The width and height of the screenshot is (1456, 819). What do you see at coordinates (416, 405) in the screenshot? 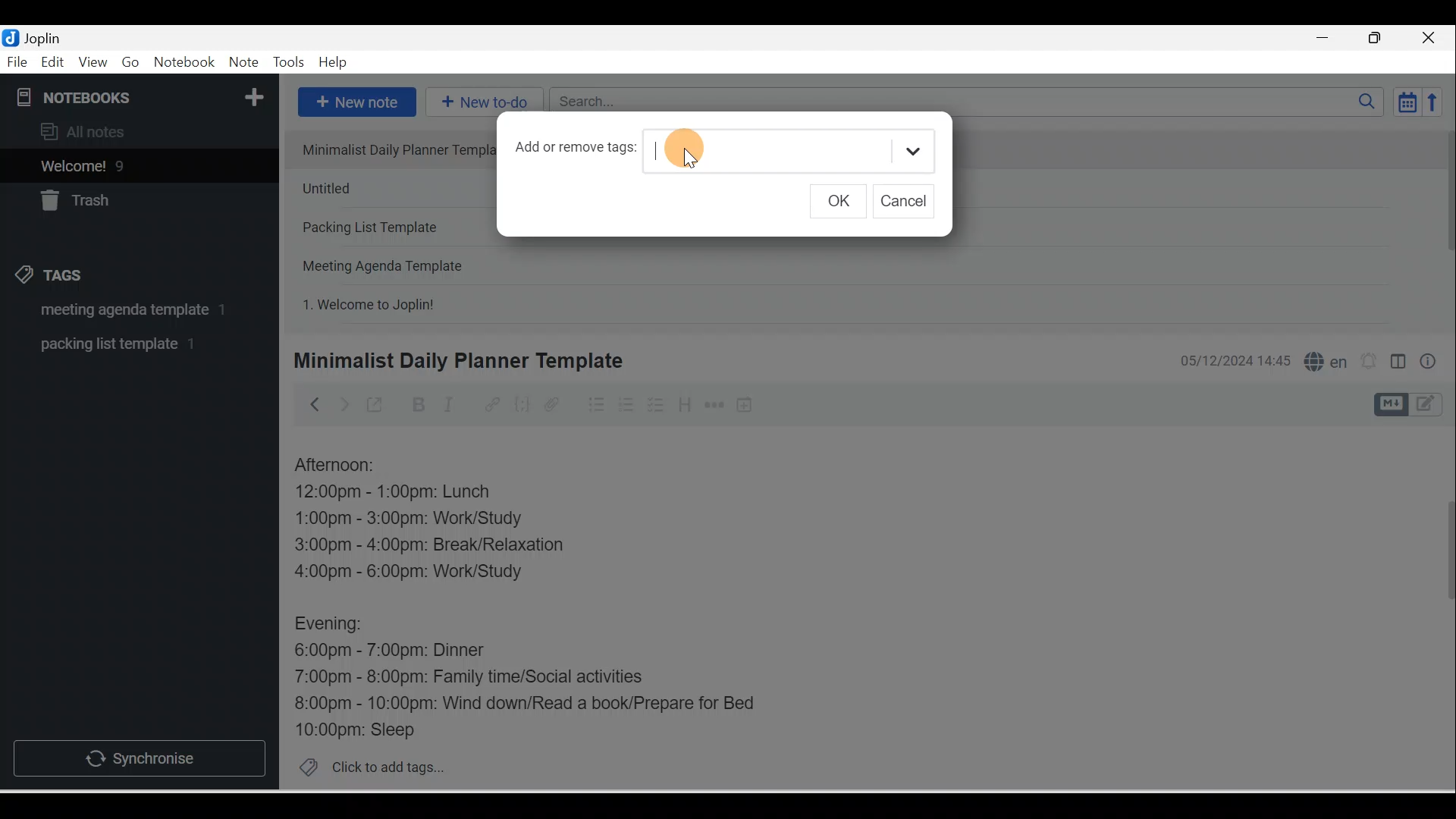
I see `Bold` at bounding box center [416, 405].